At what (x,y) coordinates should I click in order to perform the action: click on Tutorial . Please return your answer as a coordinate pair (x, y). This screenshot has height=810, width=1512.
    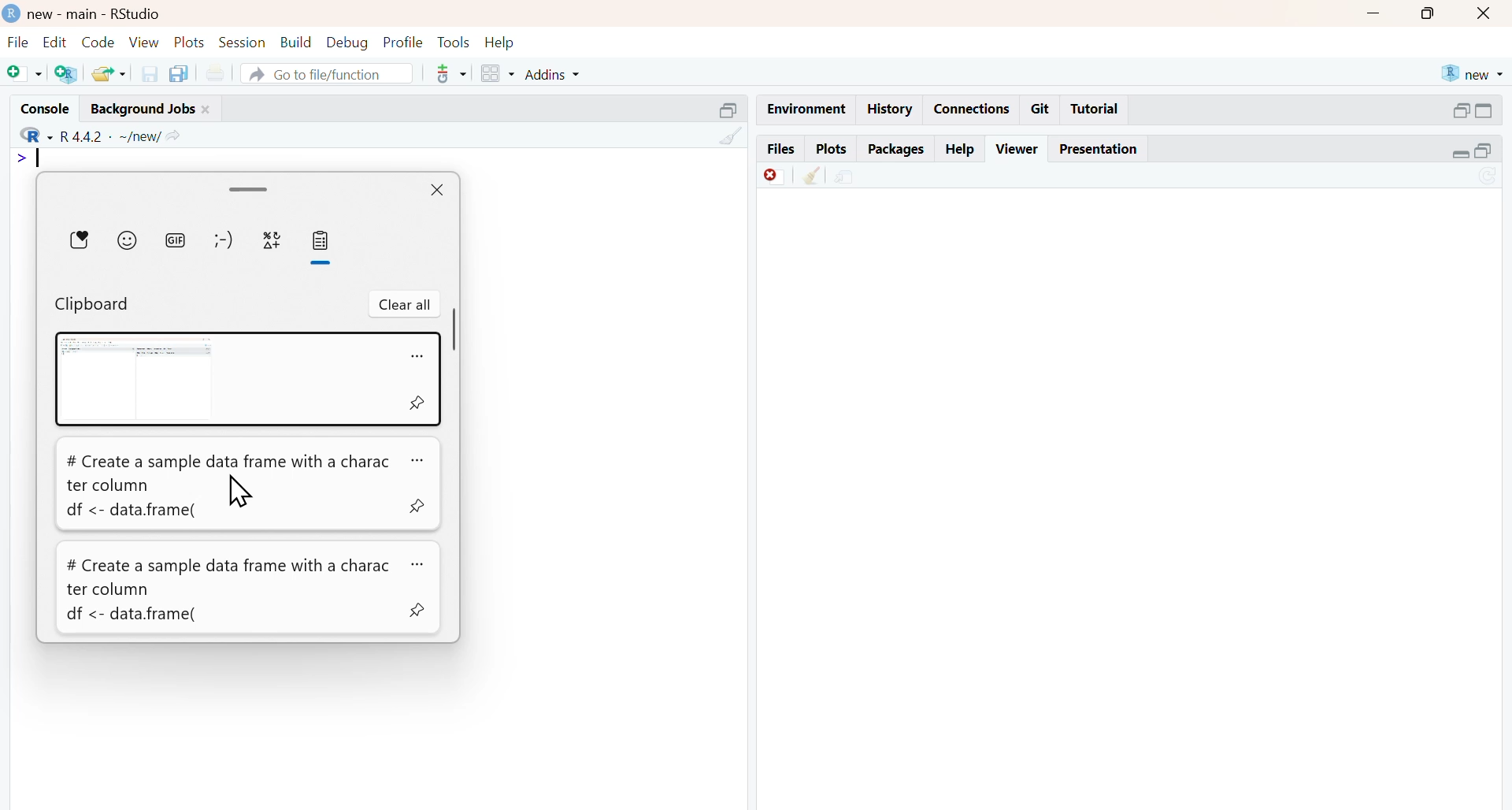
    Looking at the image, I should click on (1095, 108).